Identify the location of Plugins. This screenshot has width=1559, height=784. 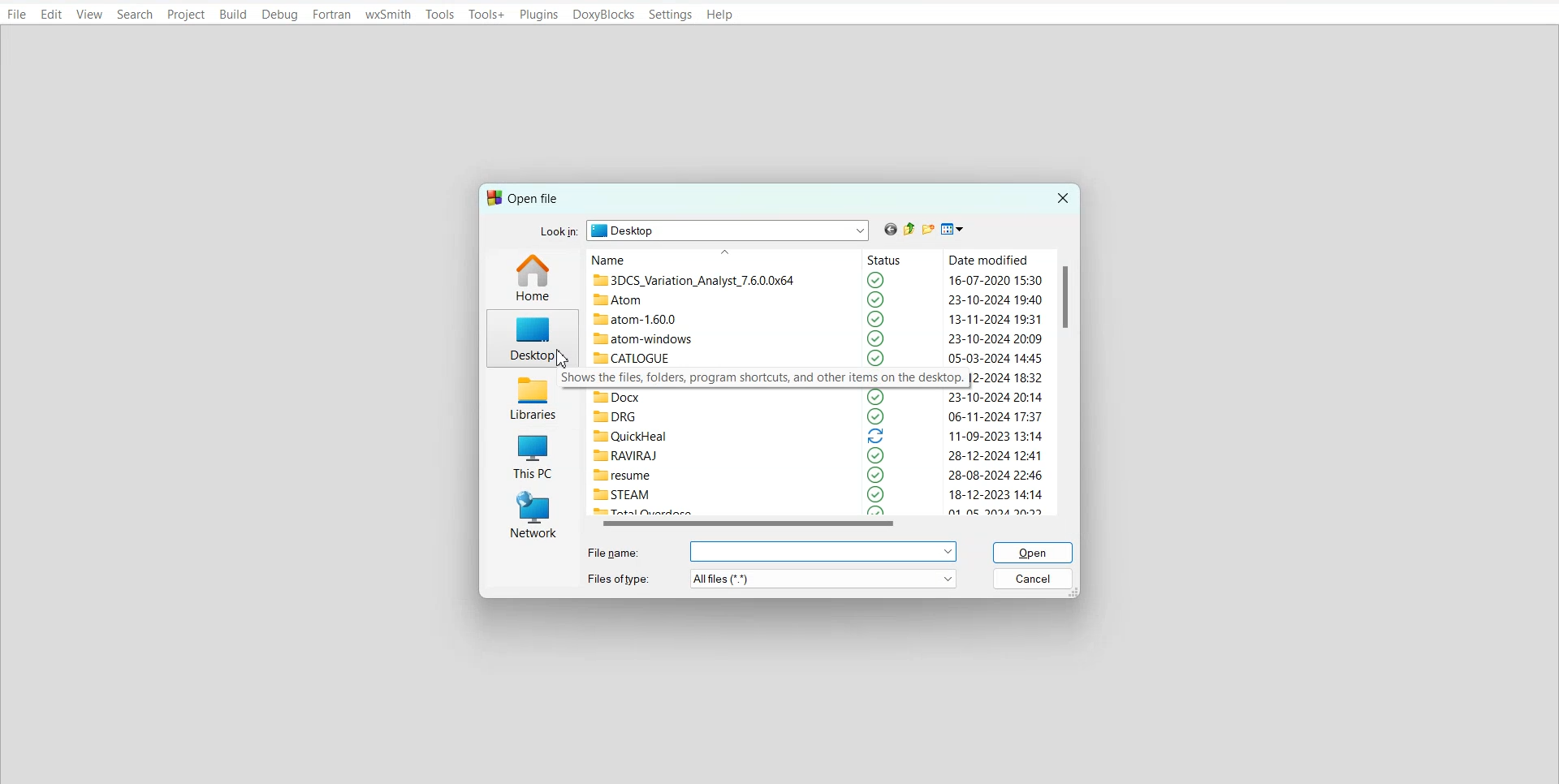
(540, 15).